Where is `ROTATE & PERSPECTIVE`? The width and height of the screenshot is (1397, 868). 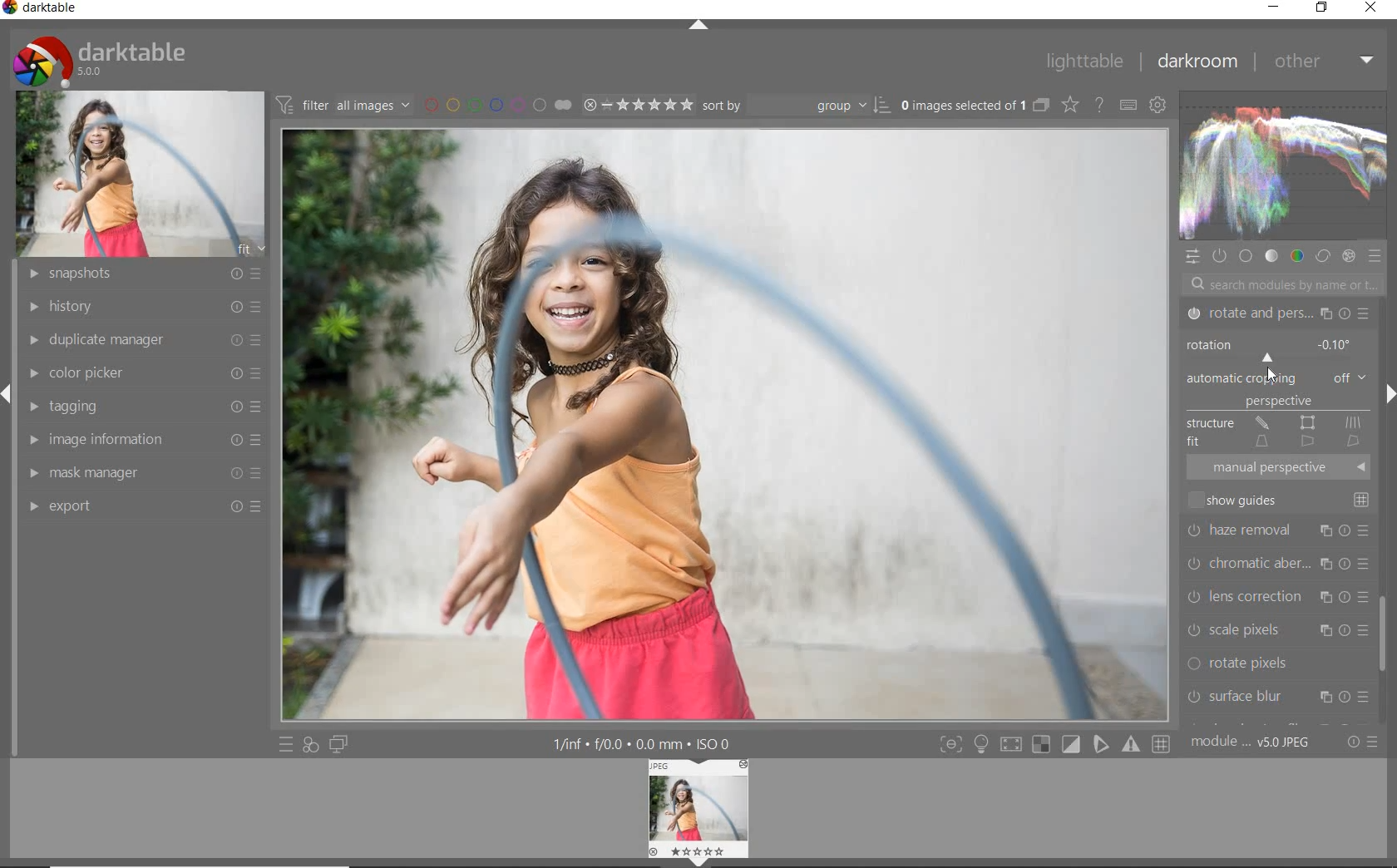 ROTATE & PERSPECTIVE is located at coordinates (1276, 314).